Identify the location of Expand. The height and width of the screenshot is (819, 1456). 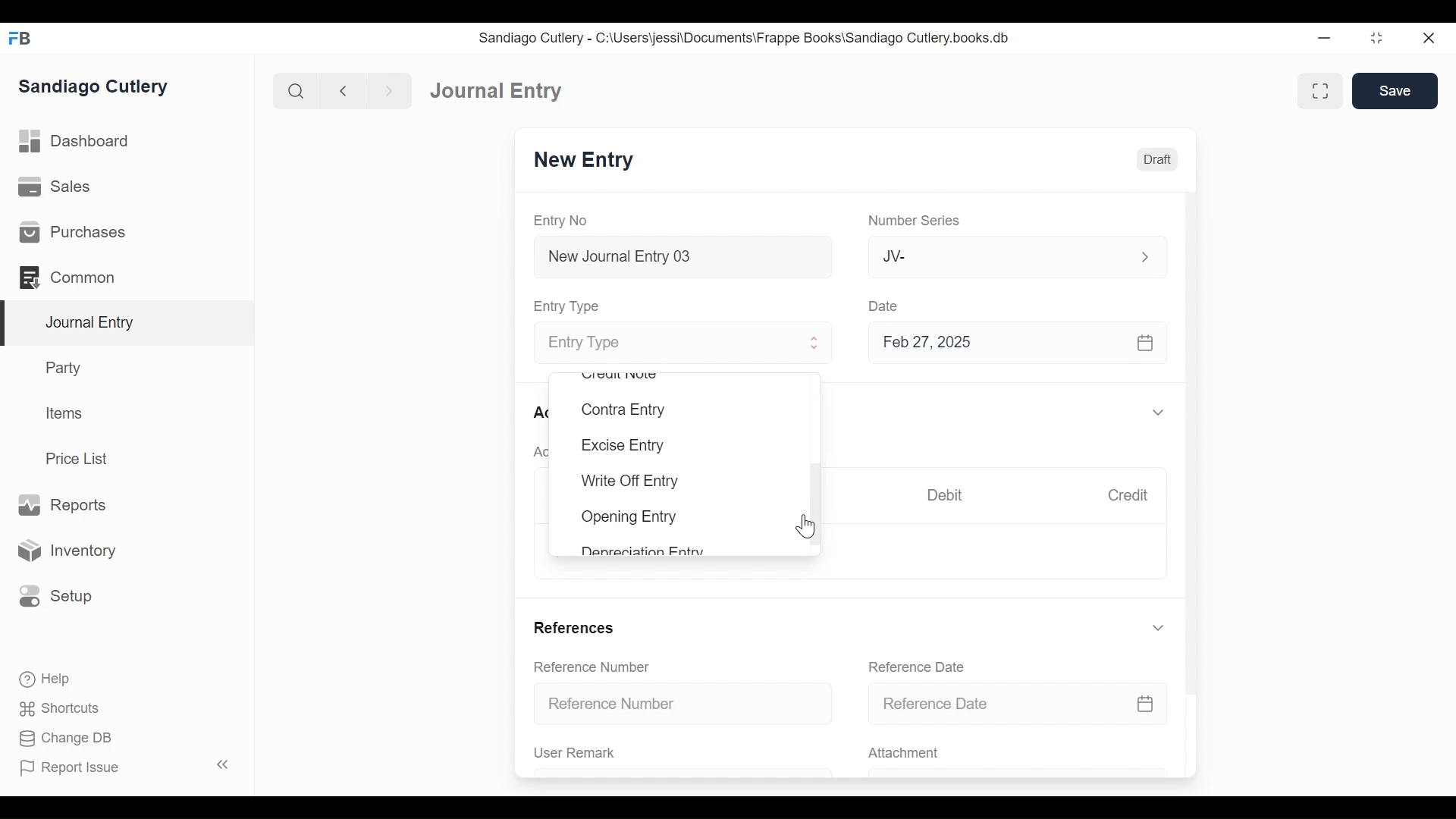
(1160, 412).